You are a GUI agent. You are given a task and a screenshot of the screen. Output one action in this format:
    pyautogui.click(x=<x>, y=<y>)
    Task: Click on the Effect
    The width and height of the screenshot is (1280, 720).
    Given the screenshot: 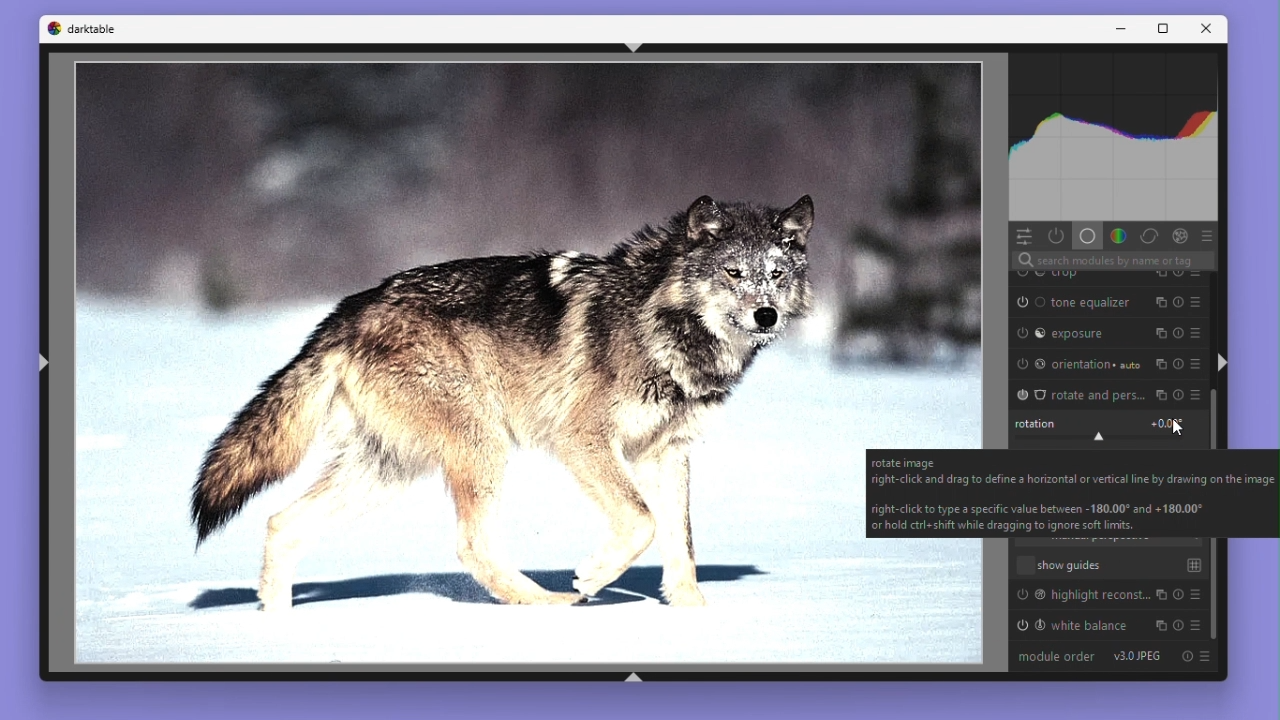 What is the action you would take?
    pyautogui.click(x=1186, y=234)
    